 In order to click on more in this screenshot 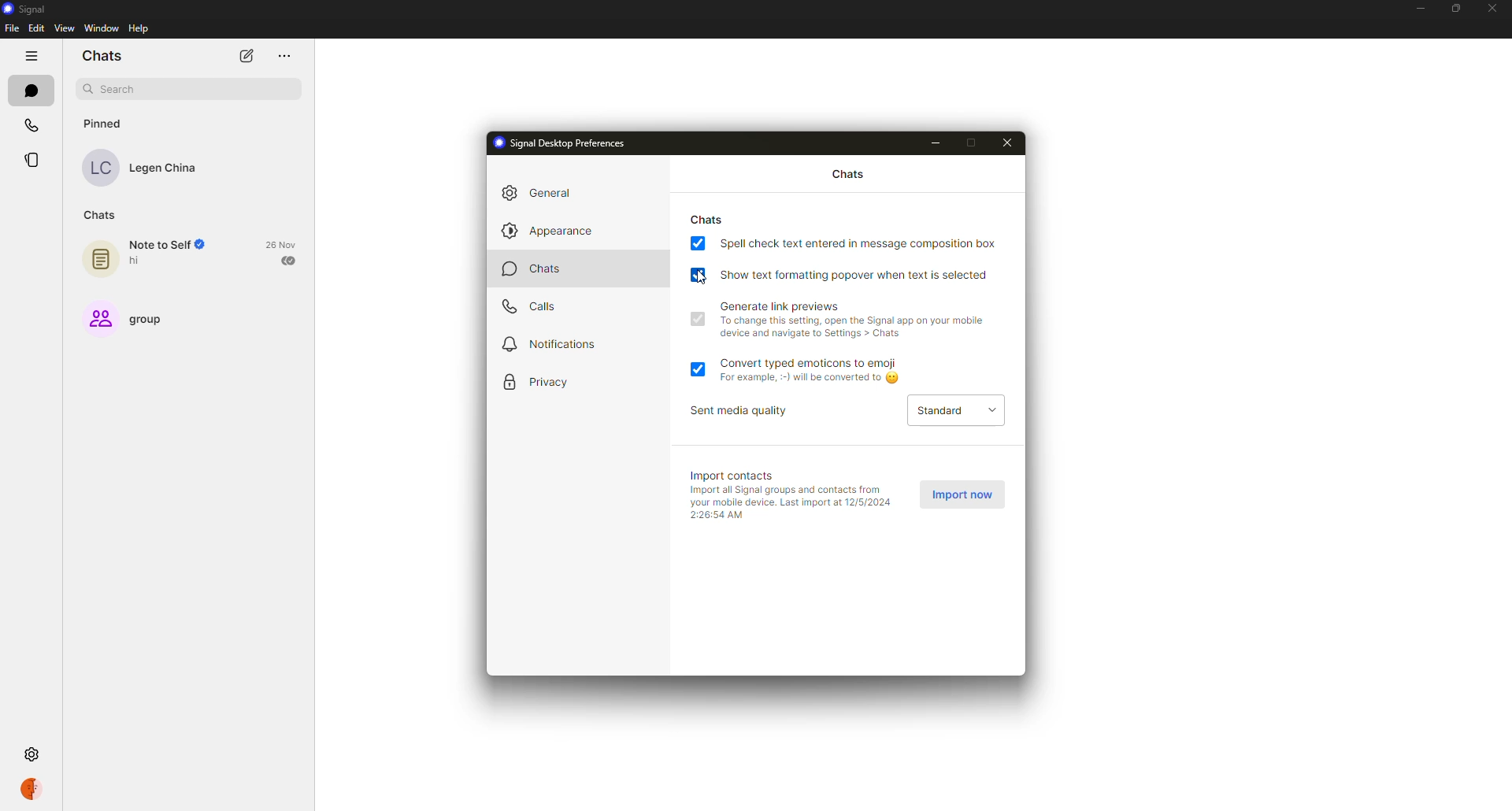, I will do `click(283, 57)`.